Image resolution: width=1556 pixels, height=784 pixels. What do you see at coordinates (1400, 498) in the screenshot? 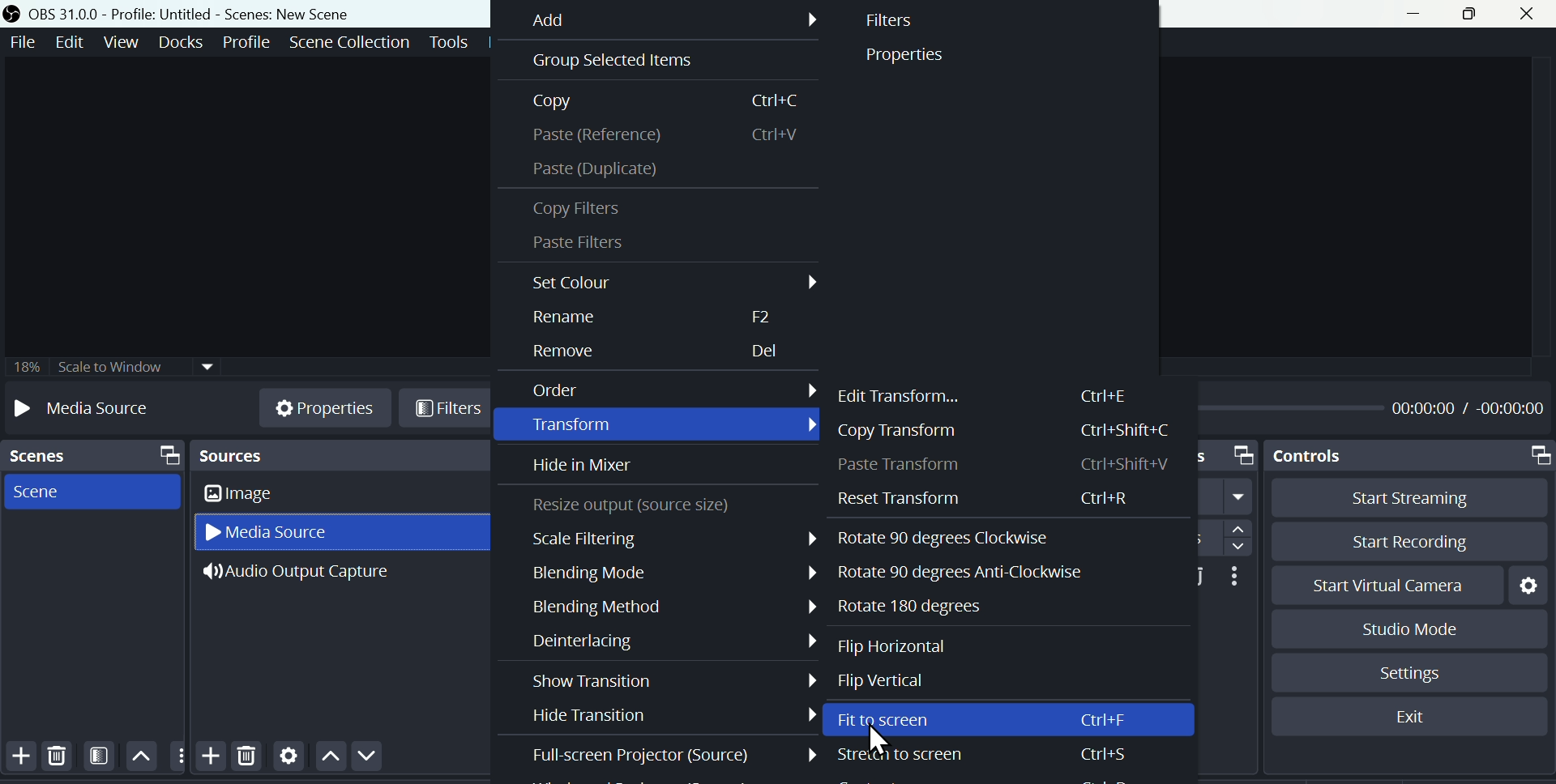
I see `Start streaming` at bounding box center [1400, 498].